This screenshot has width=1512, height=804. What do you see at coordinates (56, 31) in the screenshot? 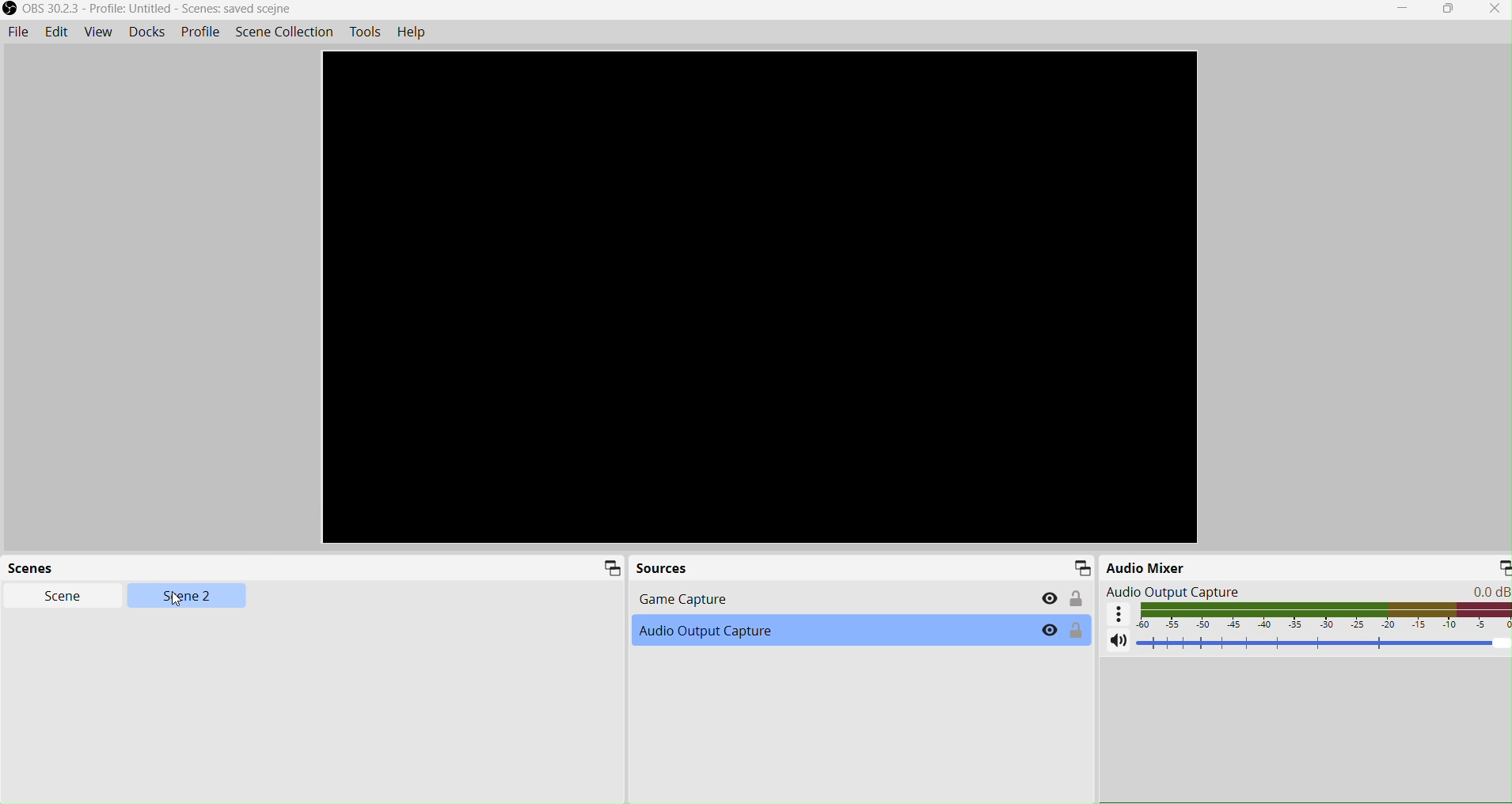
I see `Edit` at bounding box center [56, 31].